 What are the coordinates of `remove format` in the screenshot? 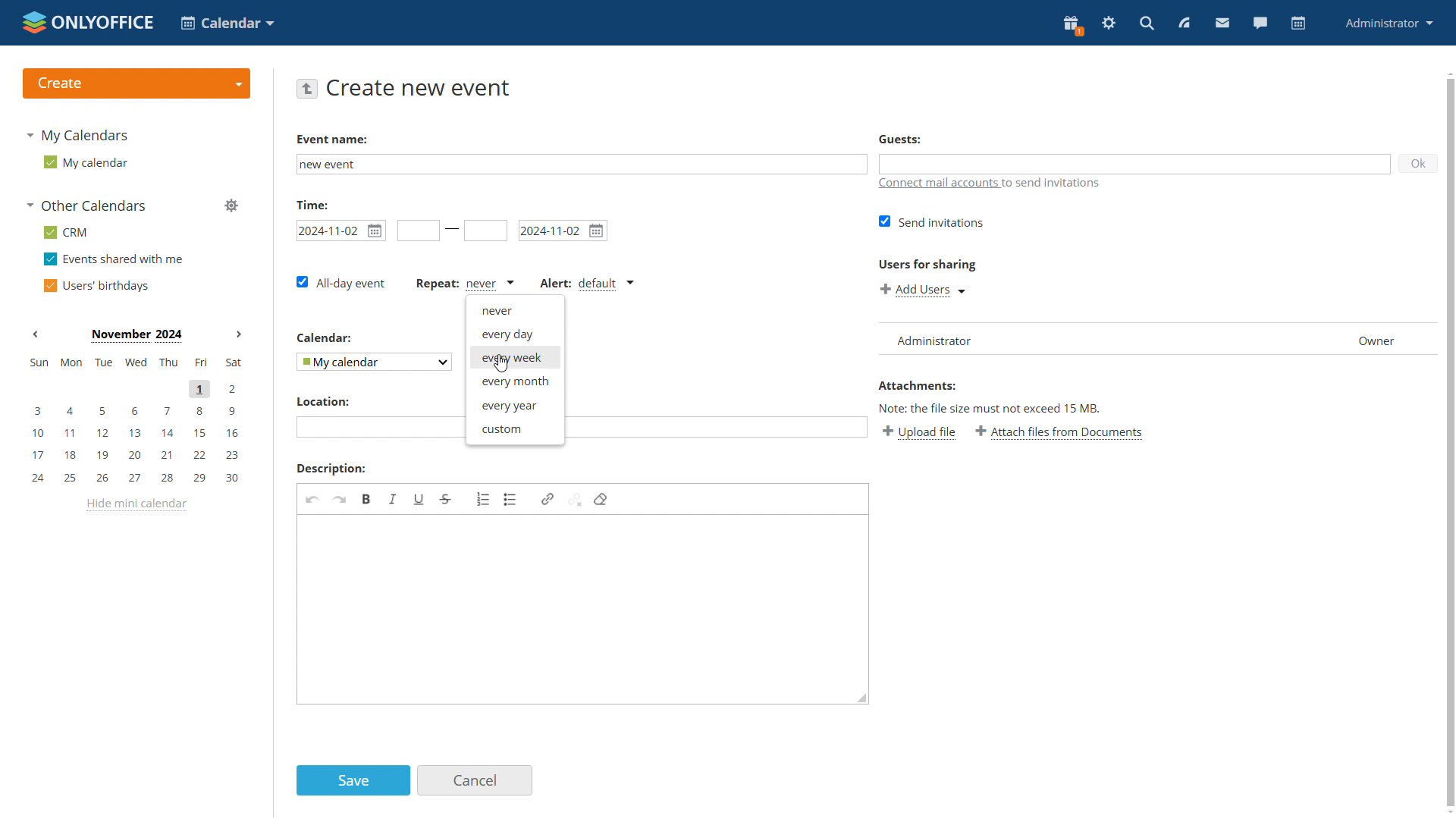 It's located at (601, 499).